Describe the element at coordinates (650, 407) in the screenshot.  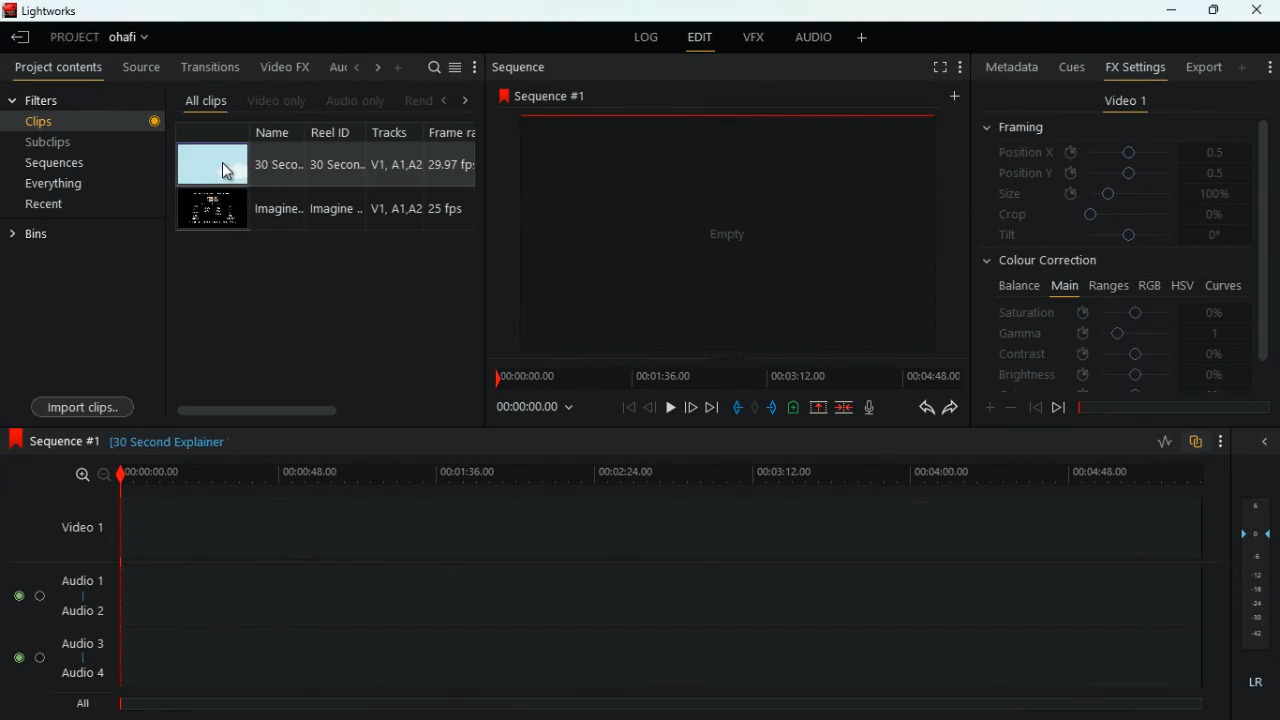
I see `back` at that location.